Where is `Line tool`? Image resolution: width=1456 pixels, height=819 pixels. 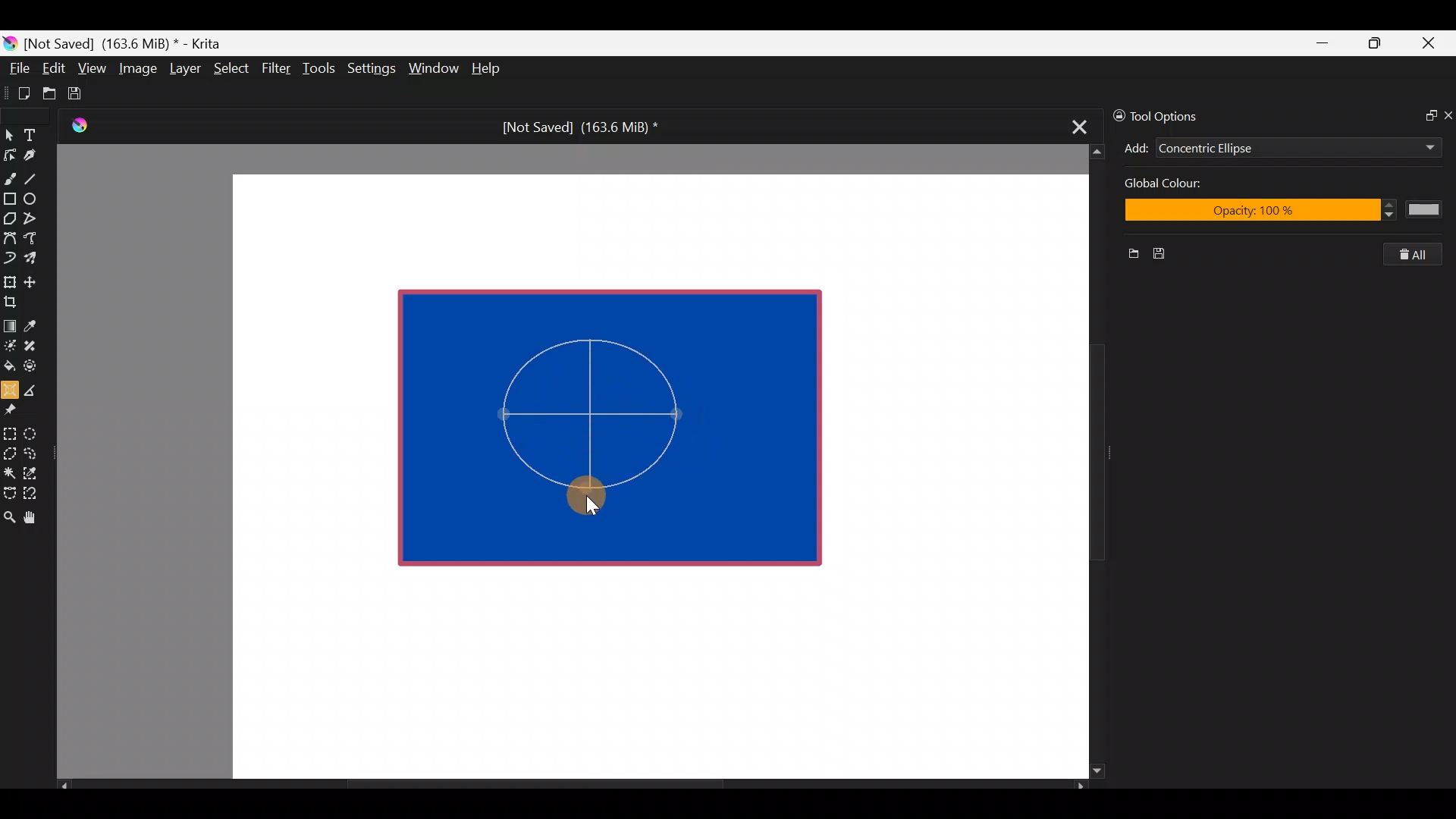 Line tool is located at coordinates (40, 177).